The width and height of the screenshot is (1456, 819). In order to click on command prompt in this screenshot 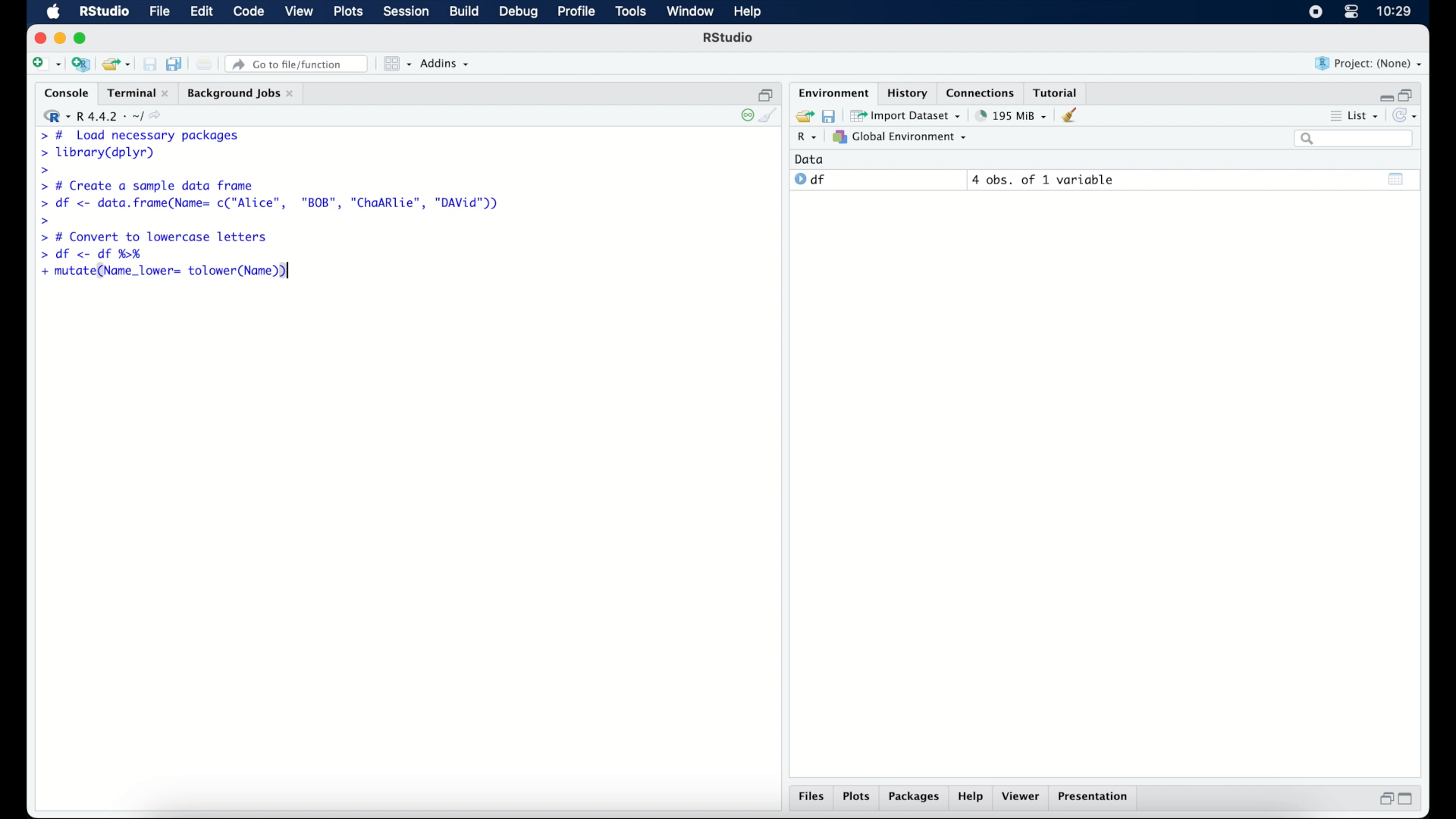, I will do `click(42, 171)`.